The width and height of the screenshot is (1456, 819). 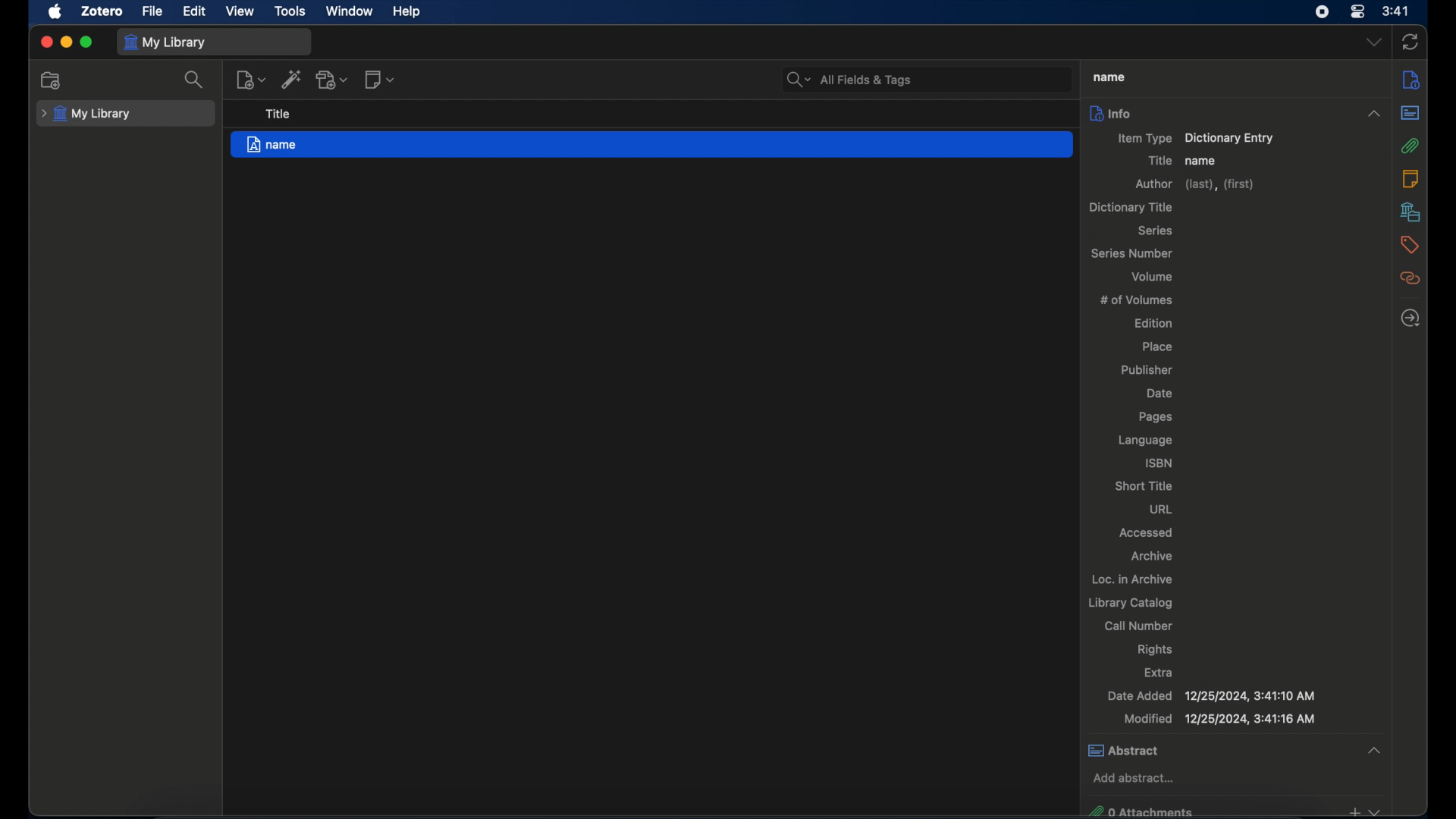 I want to click on all fields & tags, so click(x=850, y=80).